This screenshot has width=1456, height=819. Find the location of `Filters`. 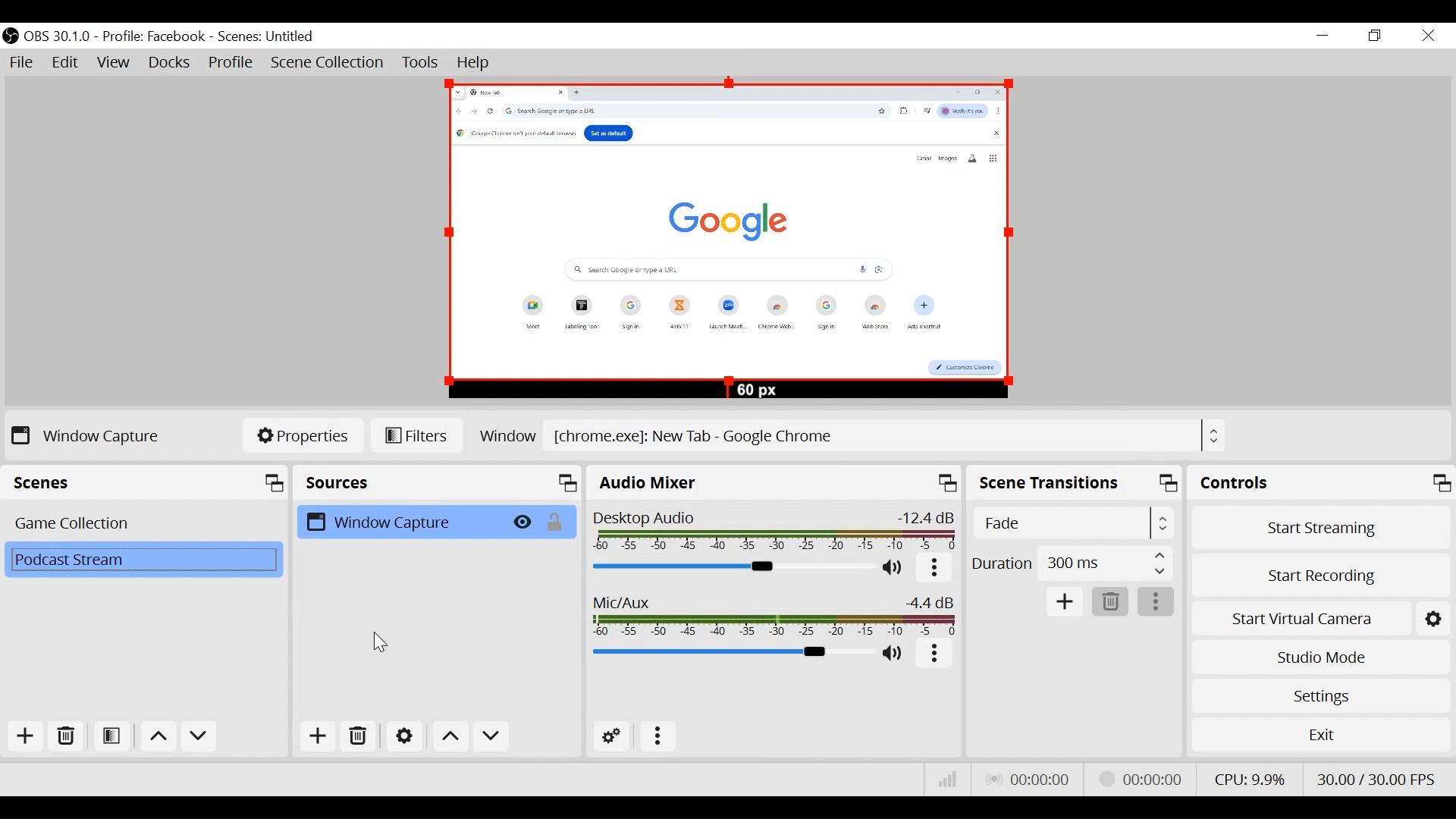

Filters is located at coordinates (416, 435).